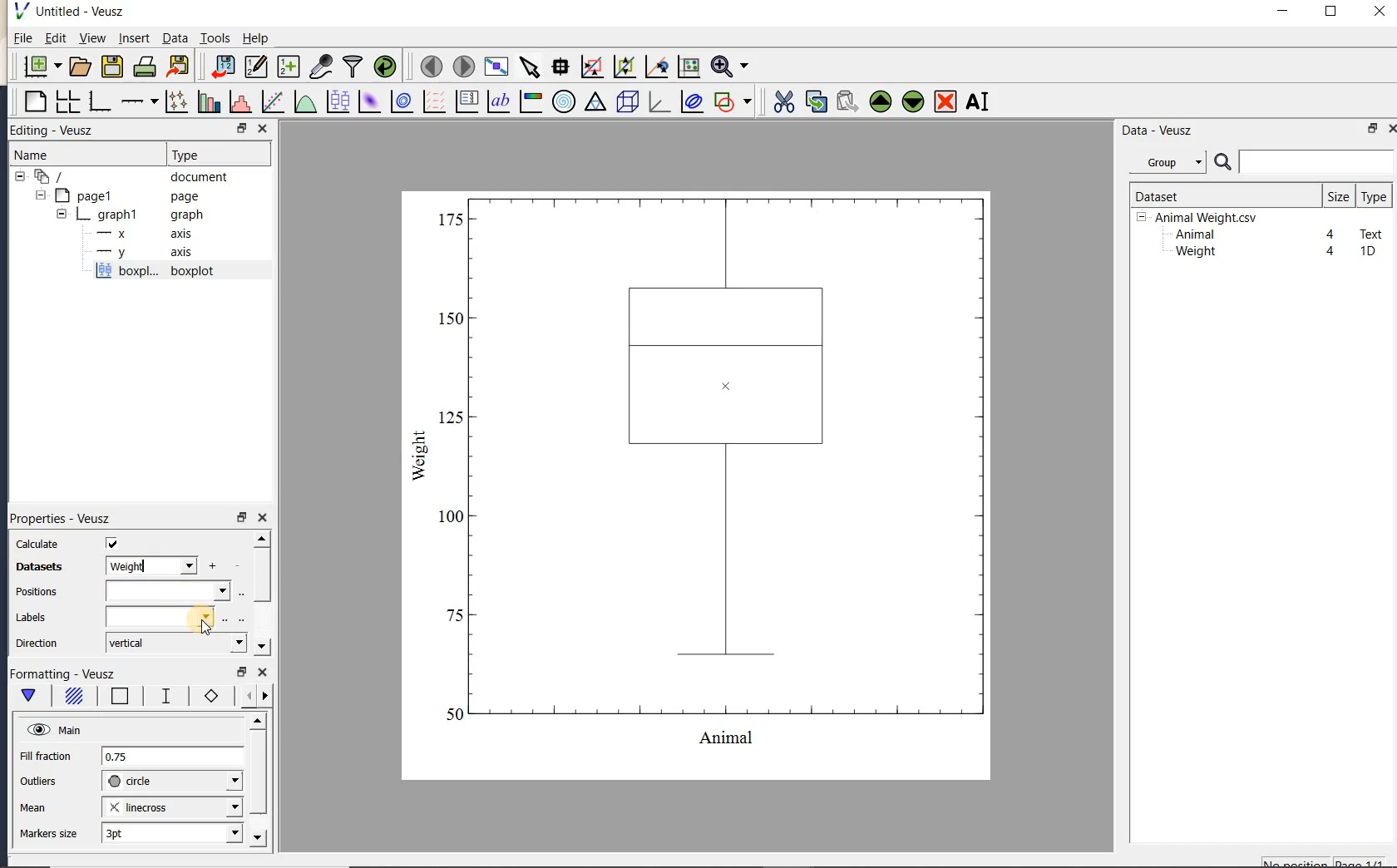 This screenshot has height=868, width=1397. I want to click on blank page, so click(33, 102).